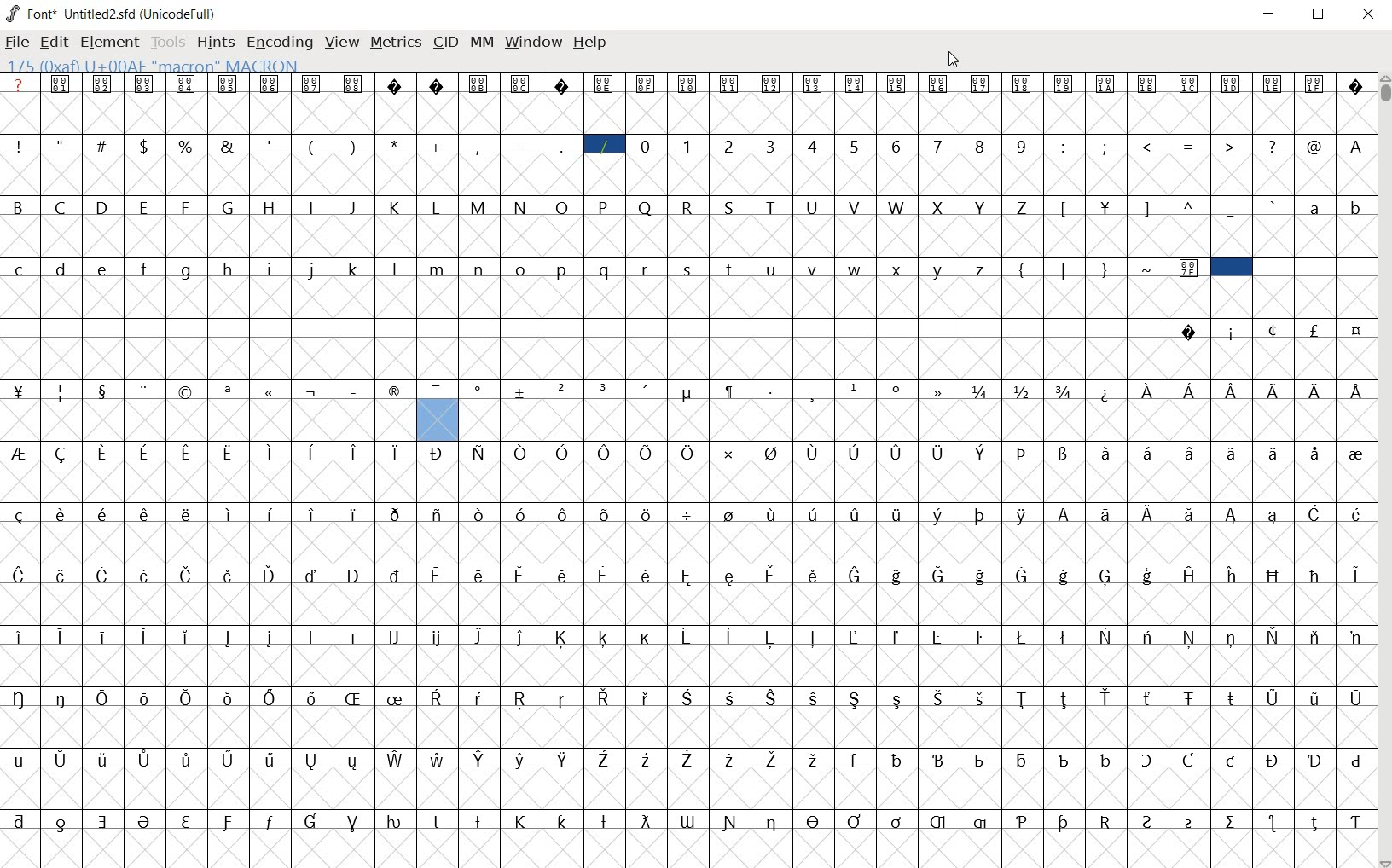 The width and height of the screenshot is (1392, 868). What do you see at coordinates (103, 268) in the screenshot?
I see `e` at bounding box center [103, 268].